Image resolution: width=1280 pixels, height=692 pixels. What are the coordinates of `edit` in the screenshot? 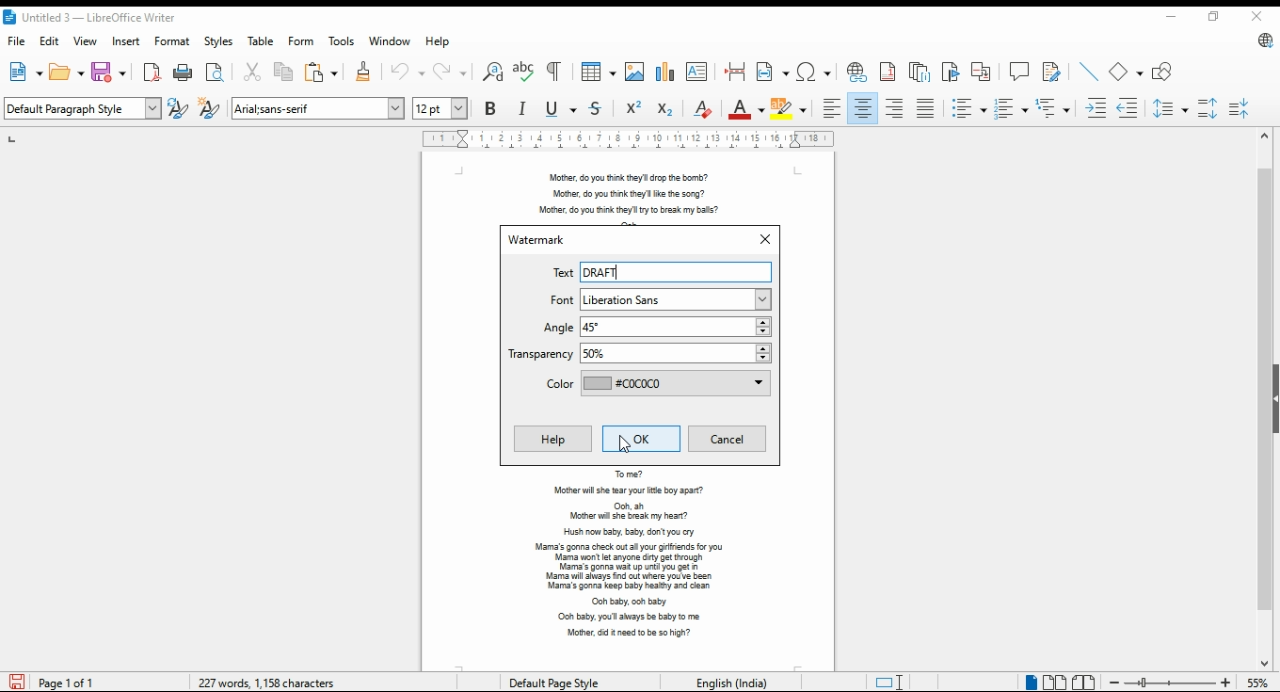 It's located at (51, 43).